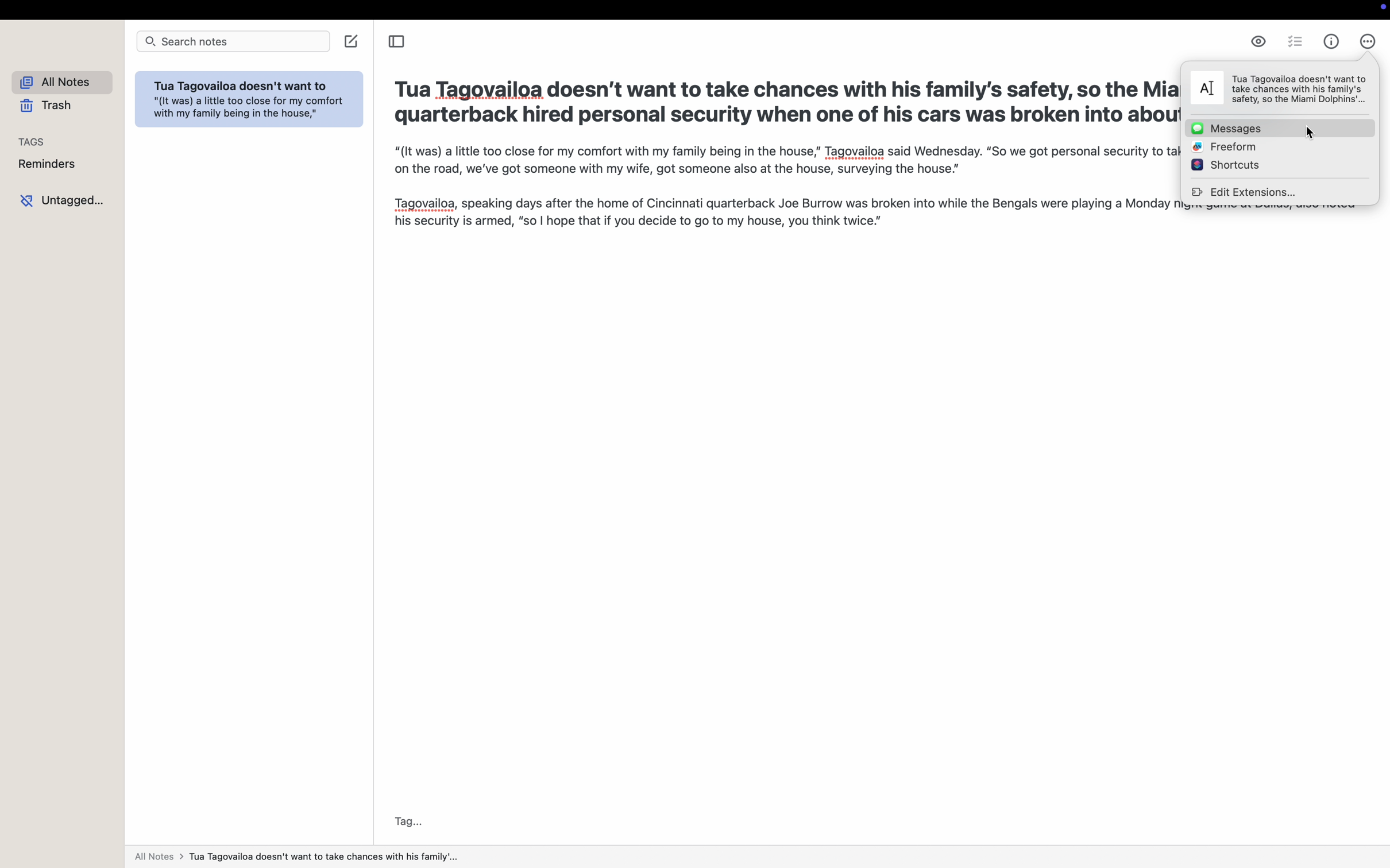 The width and height of the screenshot is (1390, 868). What do you see at coordinates (1280, 127) in the screenshot?
I see `click on messages` at bounding box center [1280, 127].